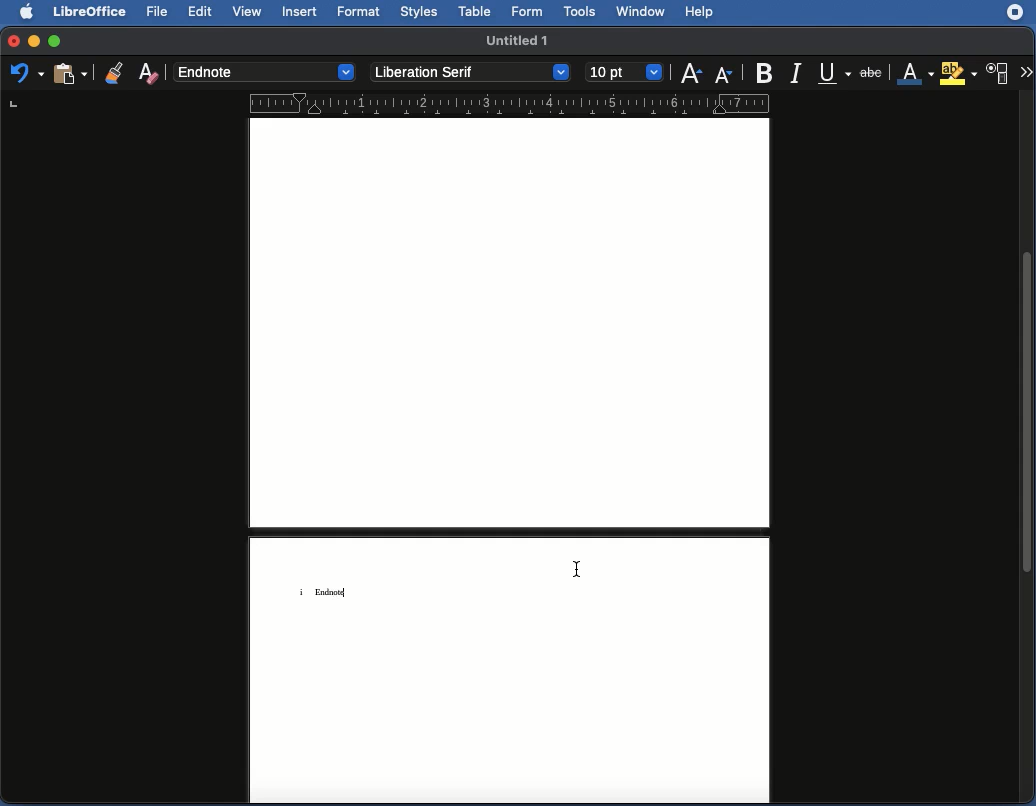  Describe the element at coordinates (24, 12) in the screenshot. I see `Apple Logo` at that location.